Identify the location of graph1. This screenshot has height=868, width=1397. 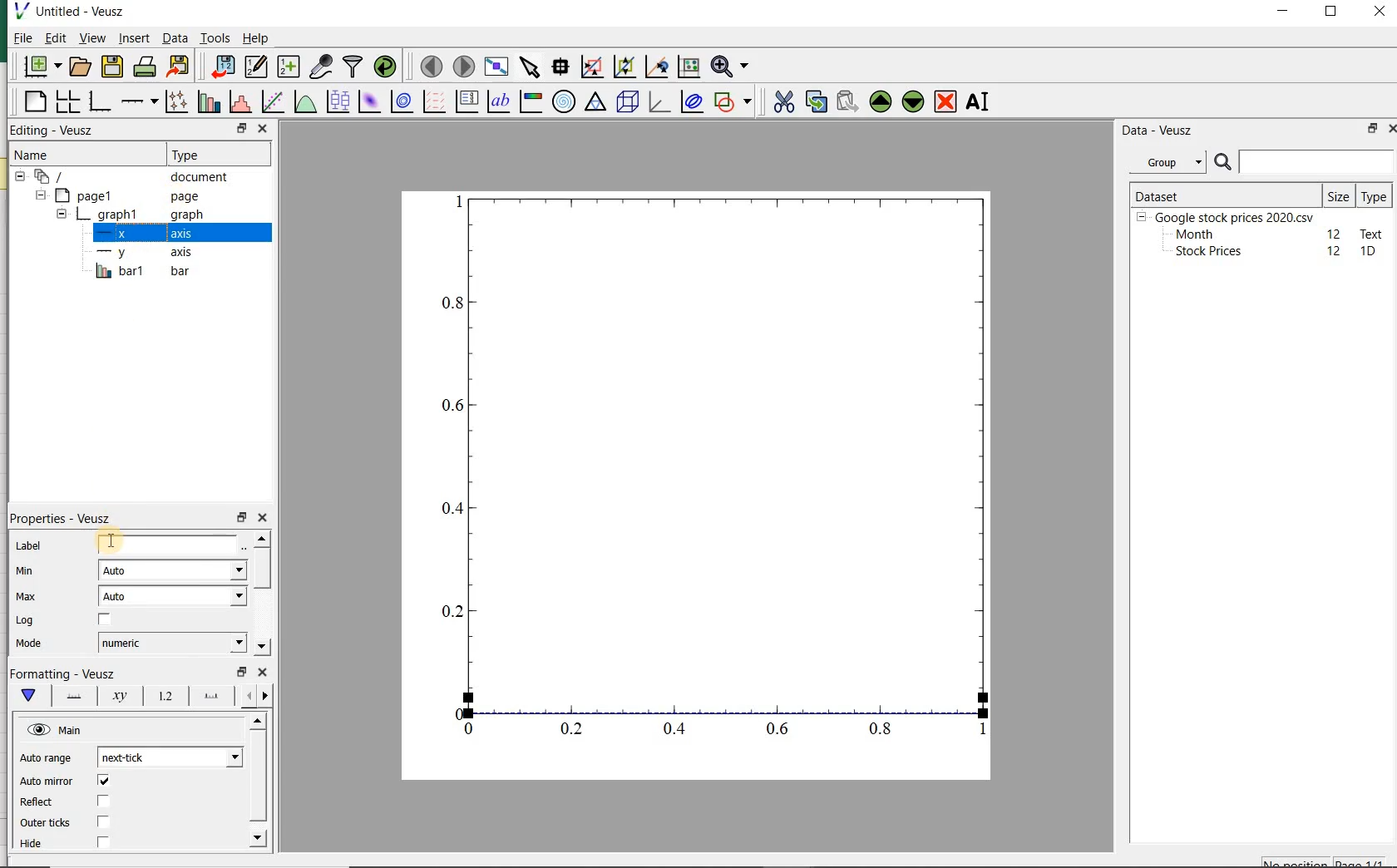
(127, 216).